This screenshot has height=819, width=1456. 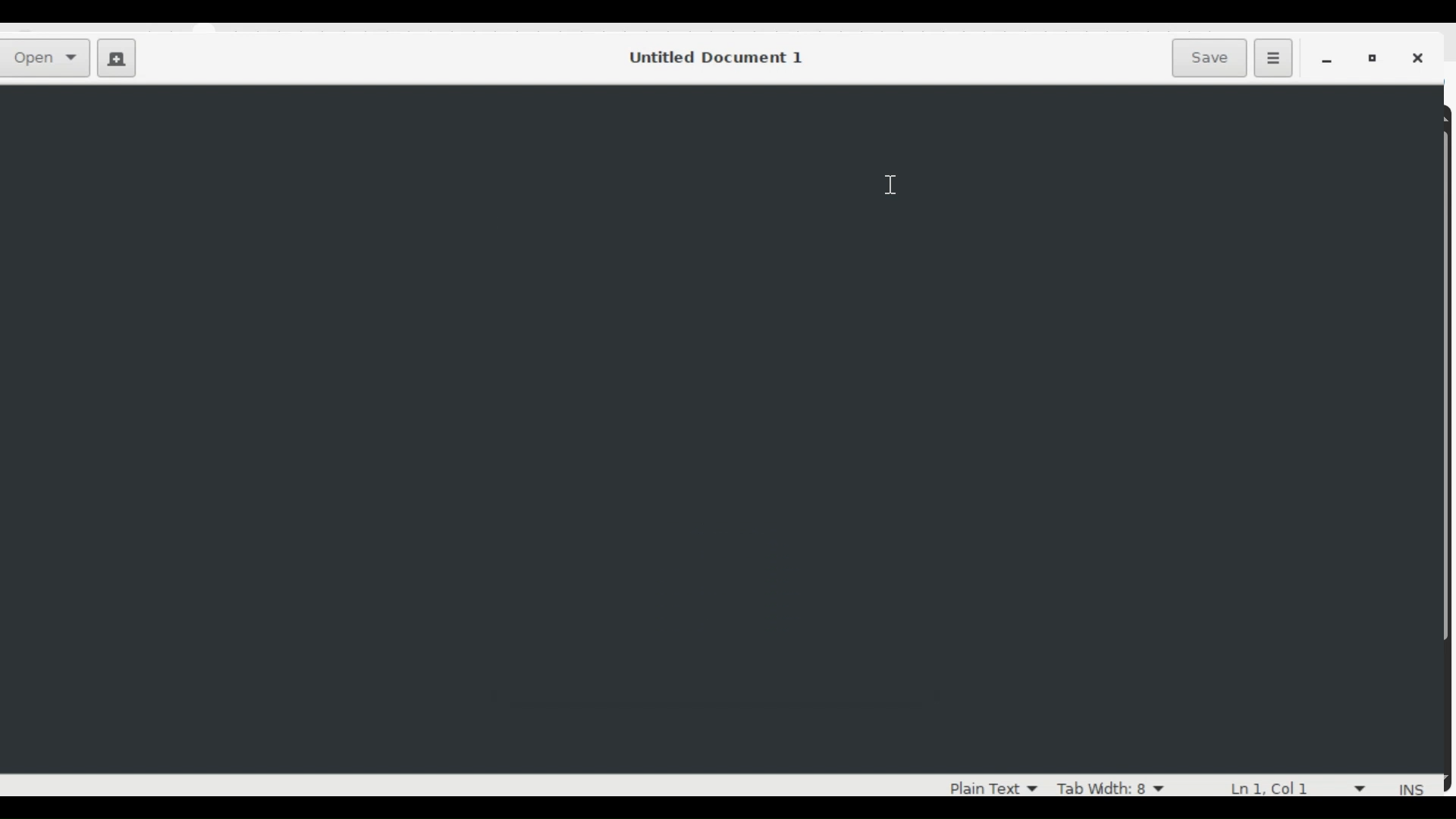 What do you see at coordinates (1376, 59) in the screenshot?
I see `Restore` at bounding box center [1376, 59].